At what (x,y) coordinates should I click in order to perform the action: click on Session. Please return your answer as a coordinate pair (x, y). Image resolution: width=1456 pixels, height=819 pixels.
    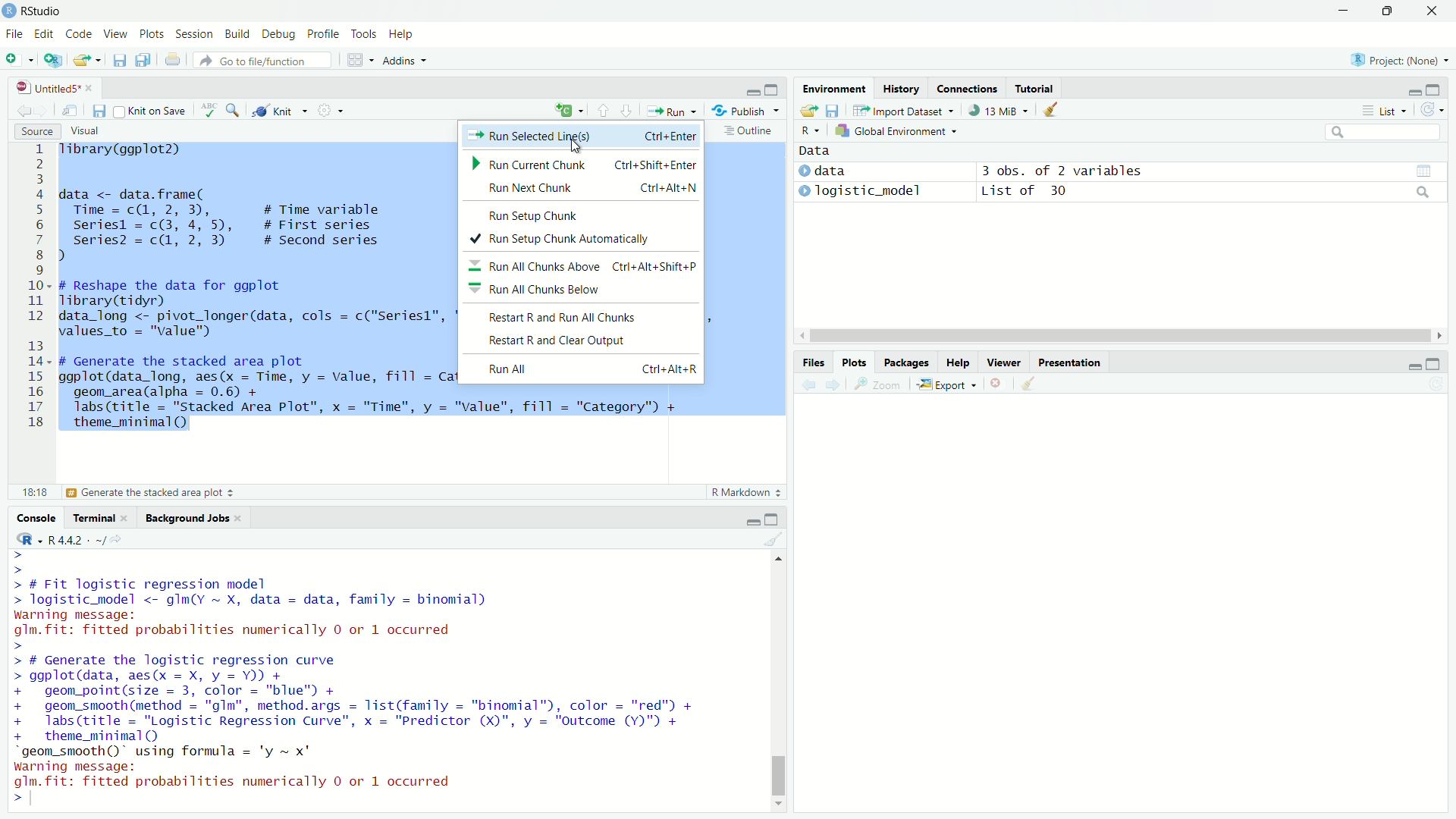
    Looking at the image, I should click on (193, 34).